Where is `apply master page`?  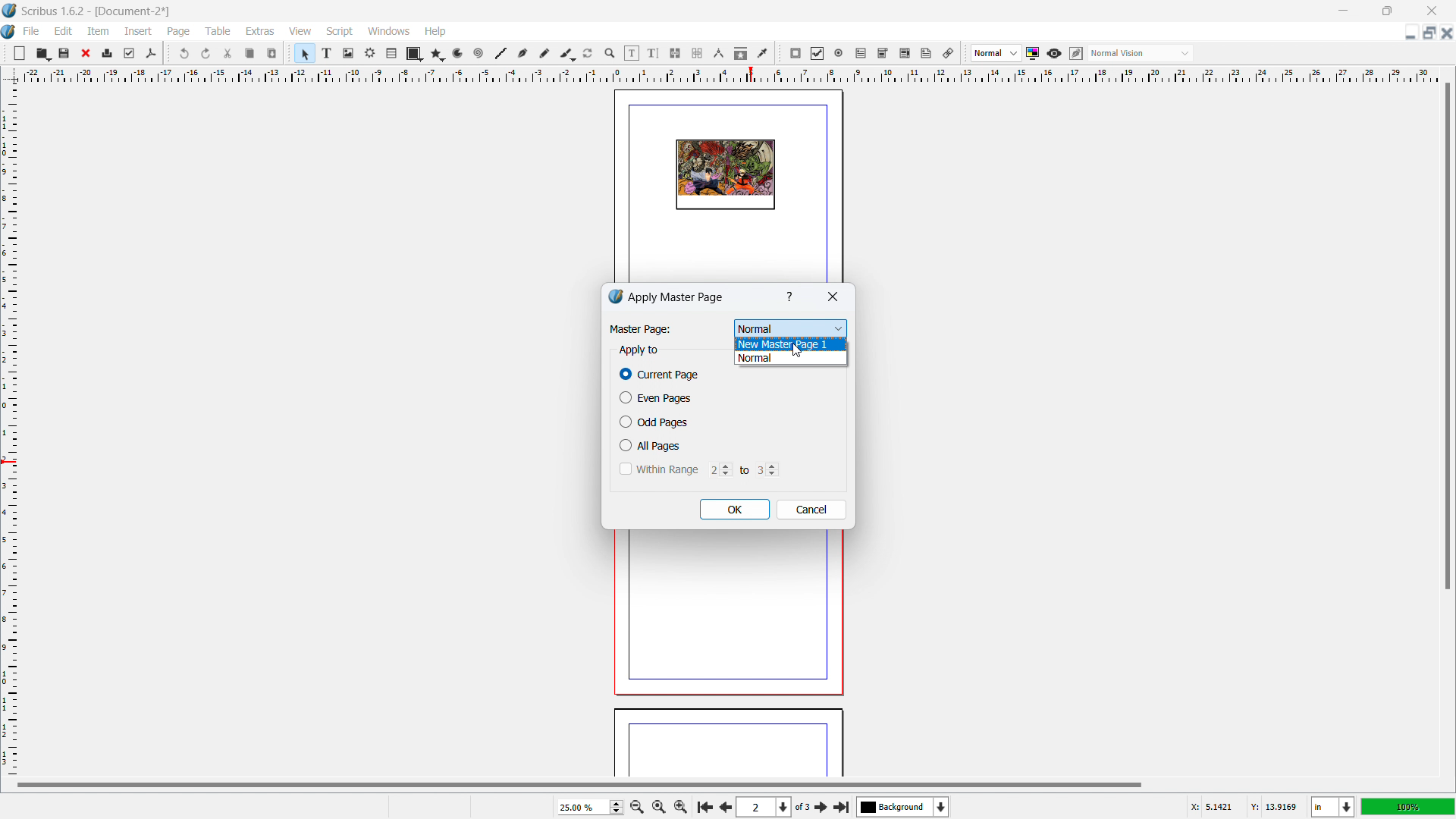
apply master page is located at coordinates (677, 297).